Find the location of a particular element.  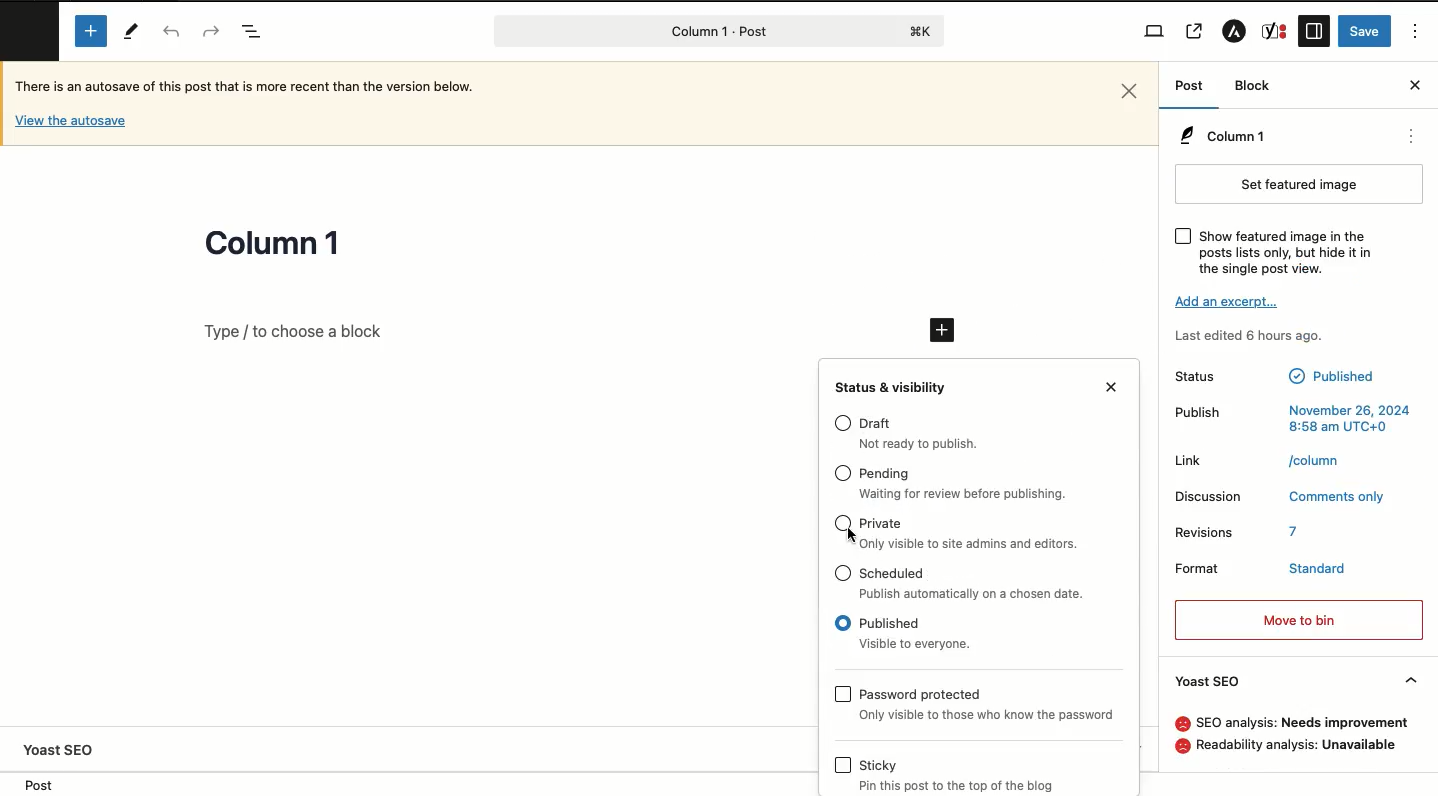

Yoast SEO is located at coordinates (65, 750).